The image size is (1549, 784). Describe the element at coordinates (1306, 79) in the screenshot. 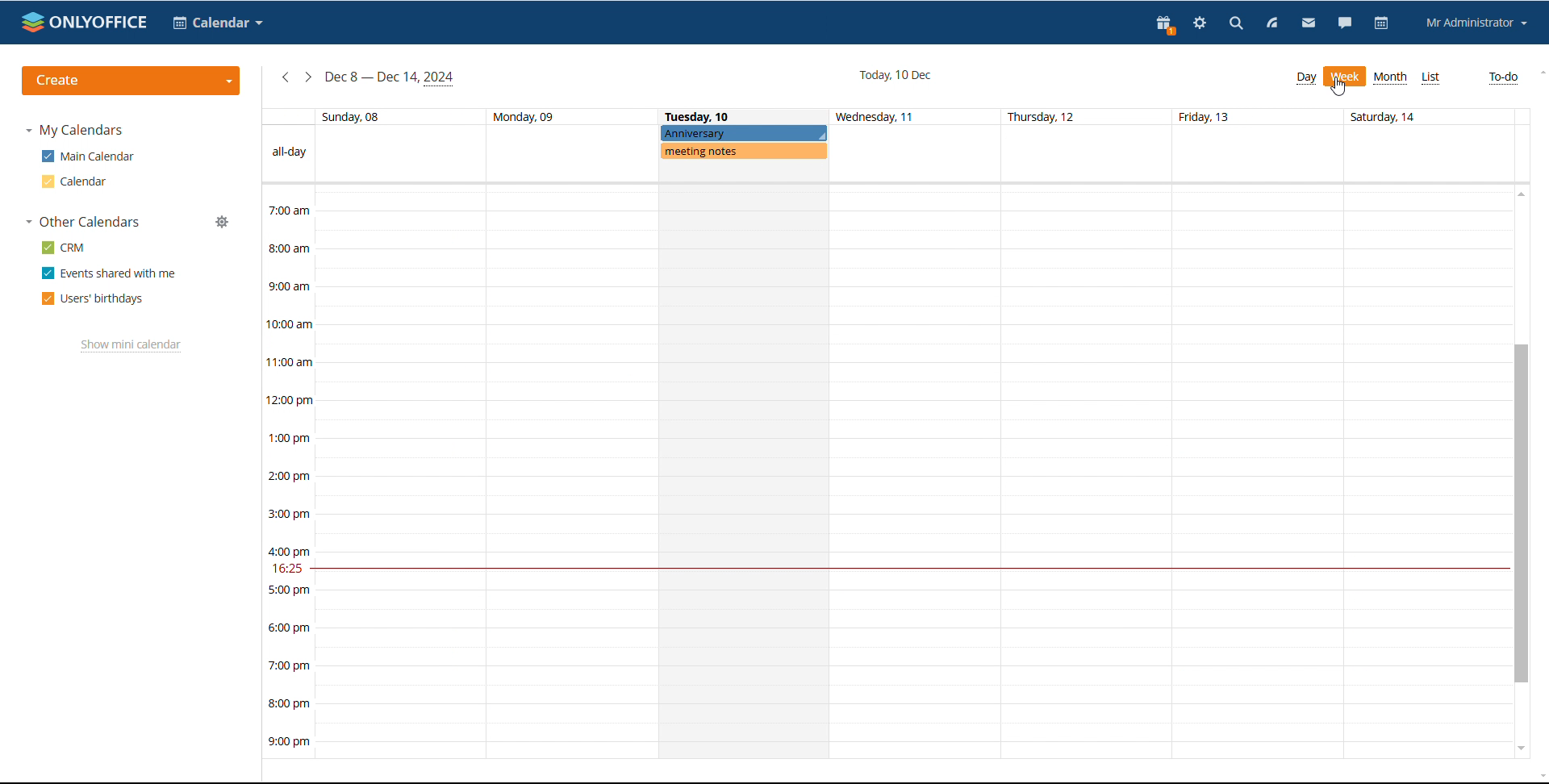

I see `day view` at that location.